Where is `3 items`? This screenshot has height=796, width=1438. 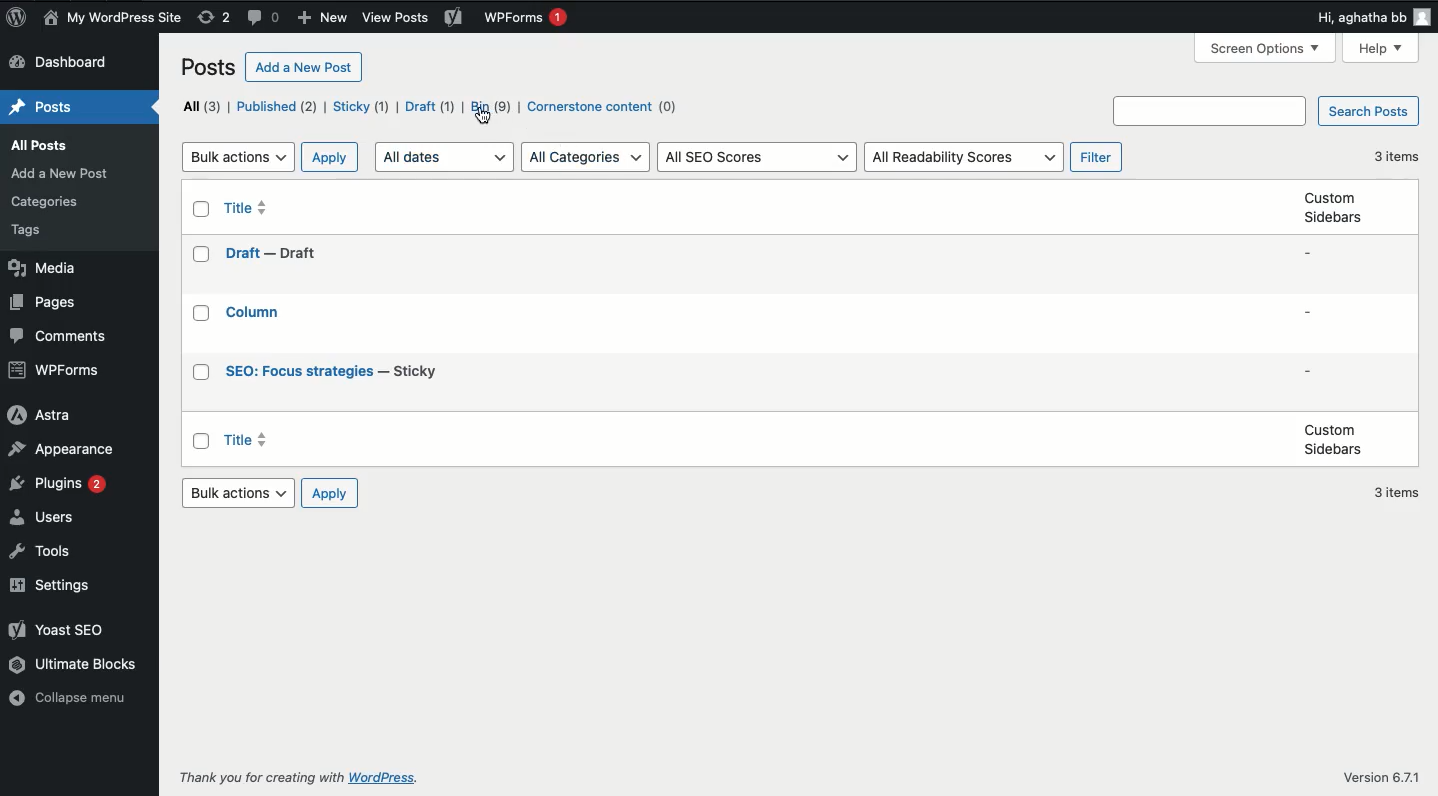 3 items is located at coordinates (1396, 155).